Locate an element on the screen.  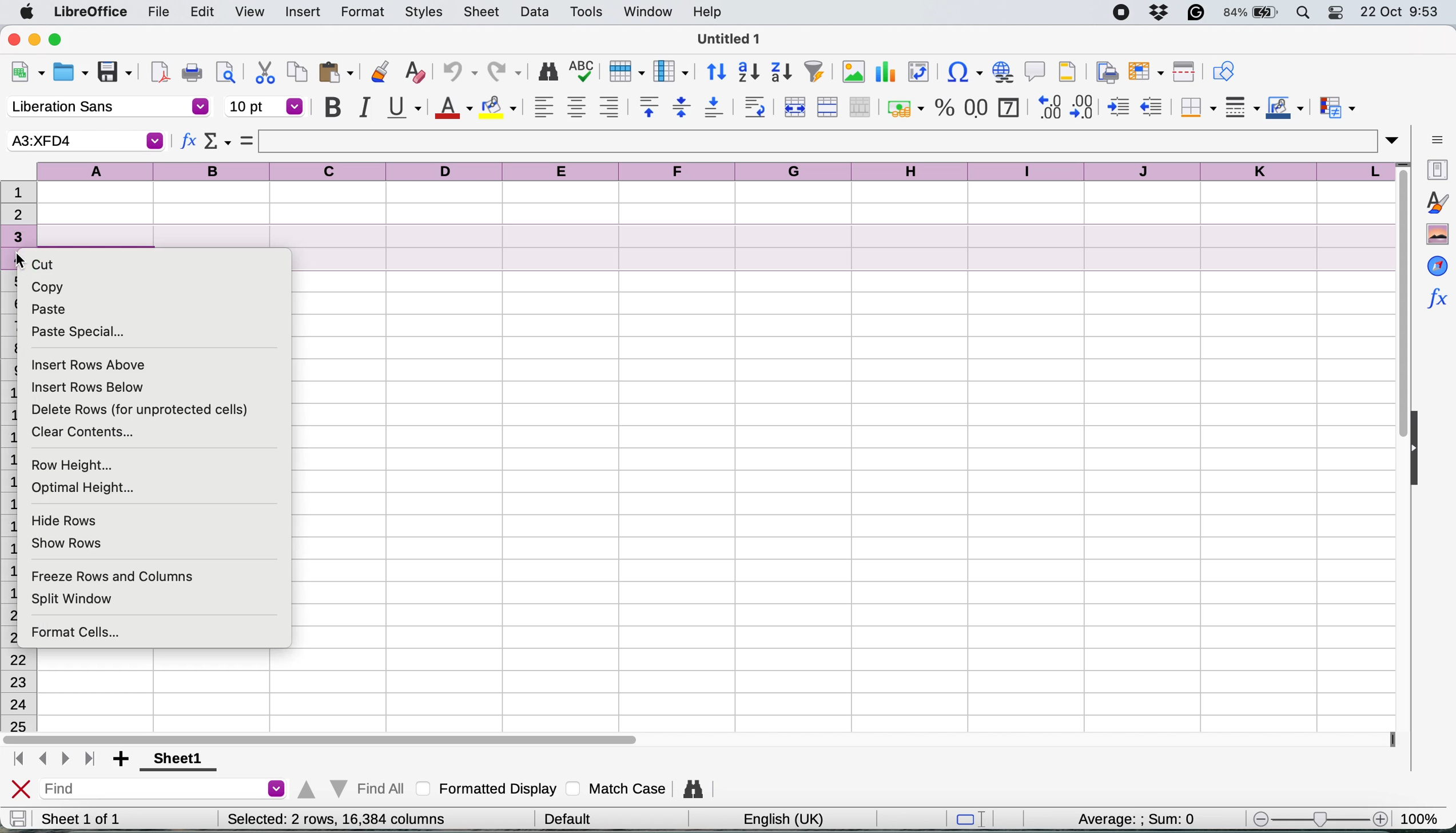
headers and footers is located at coordinates (1068, 72).